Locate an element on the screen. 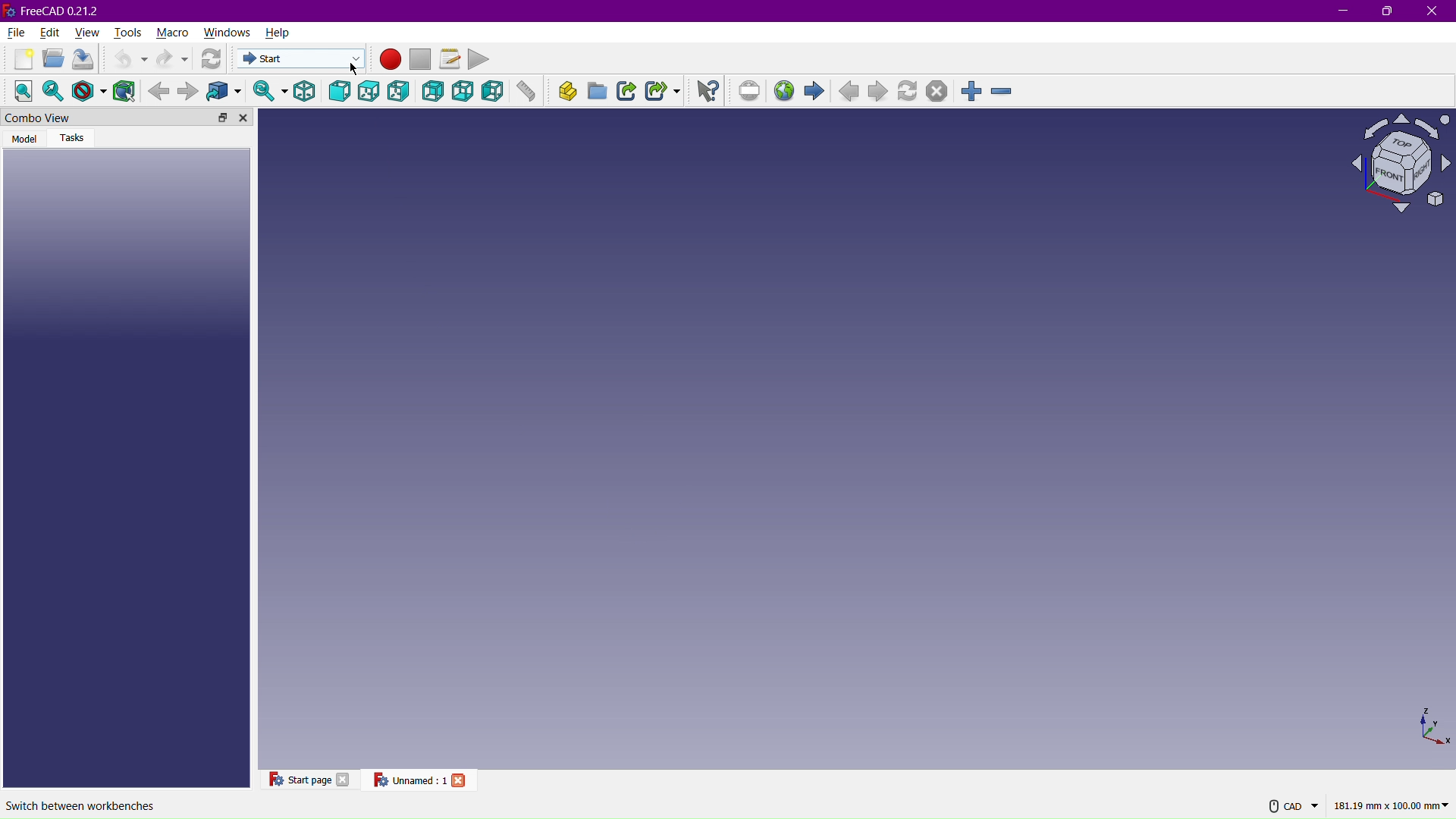  Unnamed : 1 is located at coordinates (406, 779).